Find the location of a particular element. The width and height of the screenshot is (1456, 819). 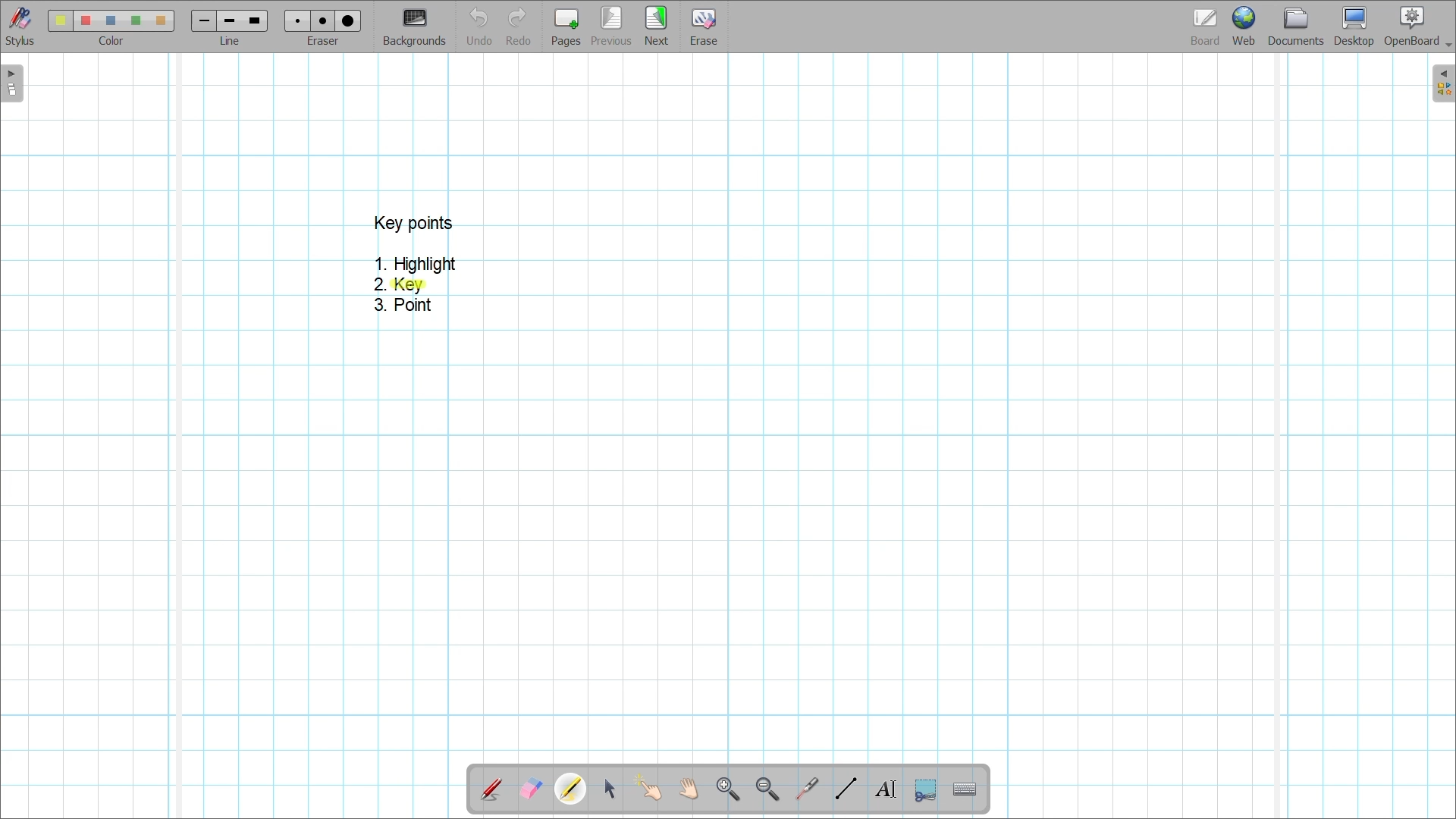

color3 is located at coordinates (111, 21).